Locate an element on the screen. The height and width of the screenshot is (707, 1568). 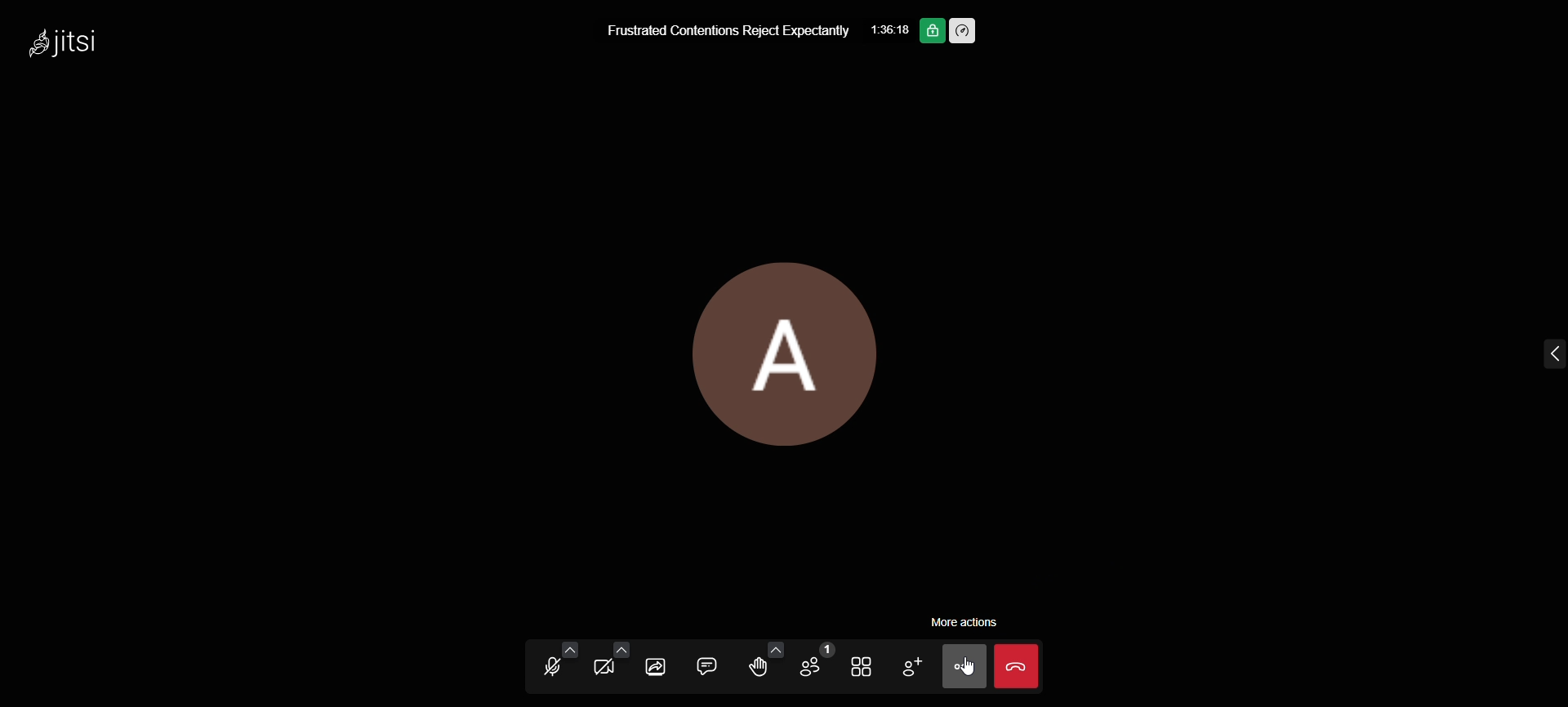
end call is located at coordinates (1019, 669).